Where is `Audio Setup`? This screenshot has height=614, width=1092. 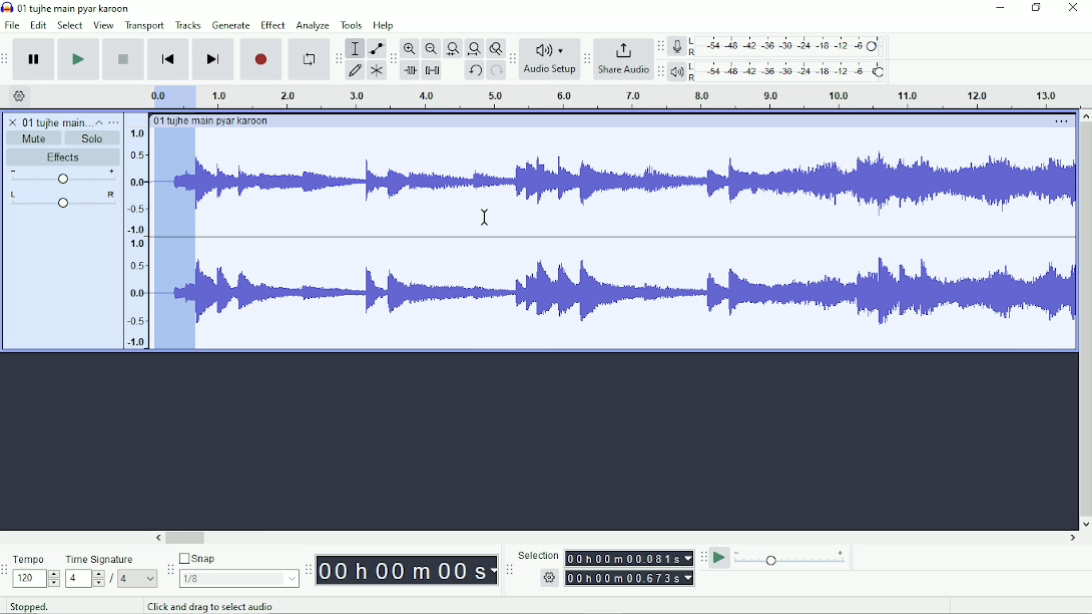 Audio Setup is located at coordinates (550, 72).